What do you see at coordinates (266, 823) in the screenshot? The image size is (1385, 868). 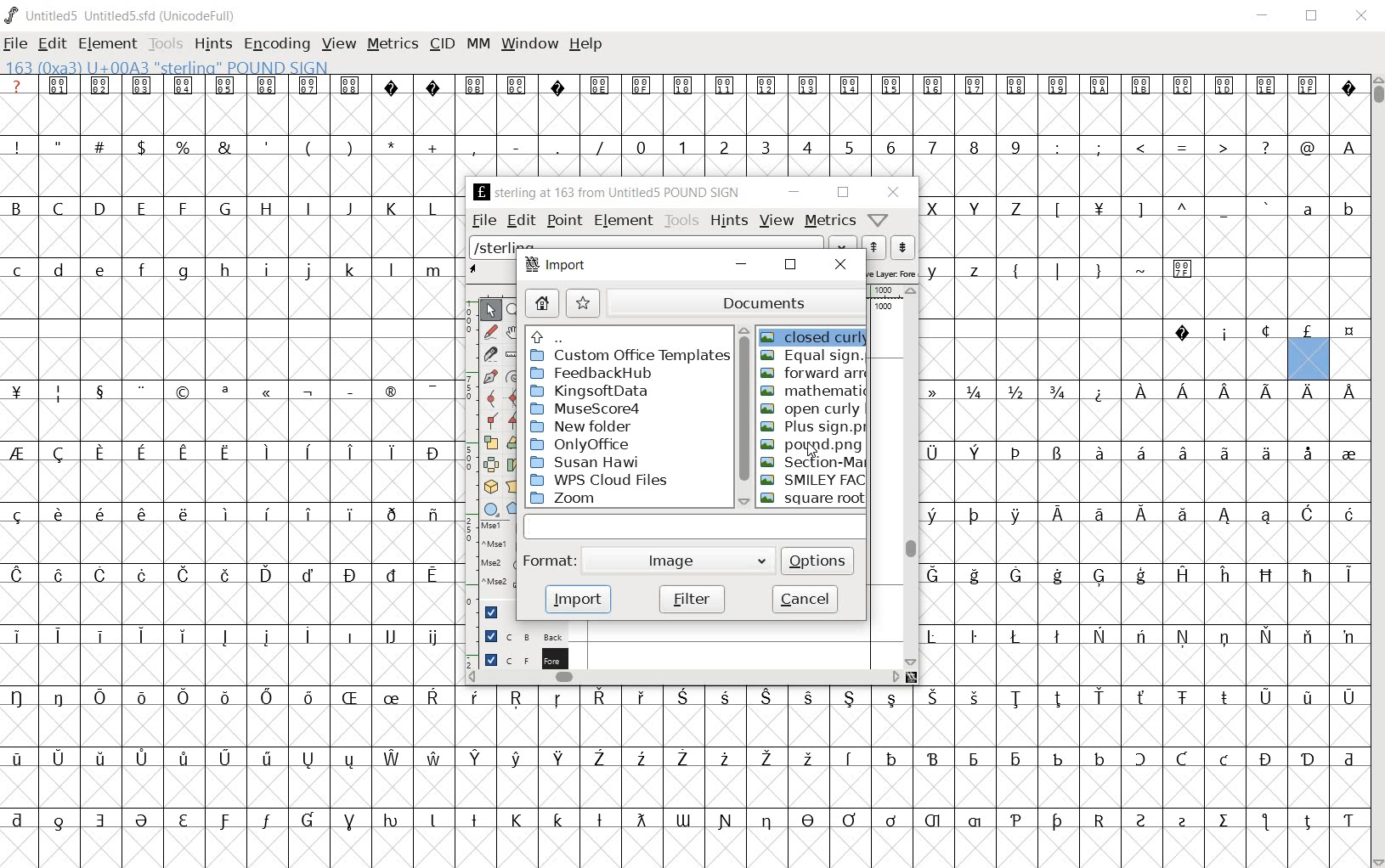 I see `Symbol` at bounding box center [266, 823].